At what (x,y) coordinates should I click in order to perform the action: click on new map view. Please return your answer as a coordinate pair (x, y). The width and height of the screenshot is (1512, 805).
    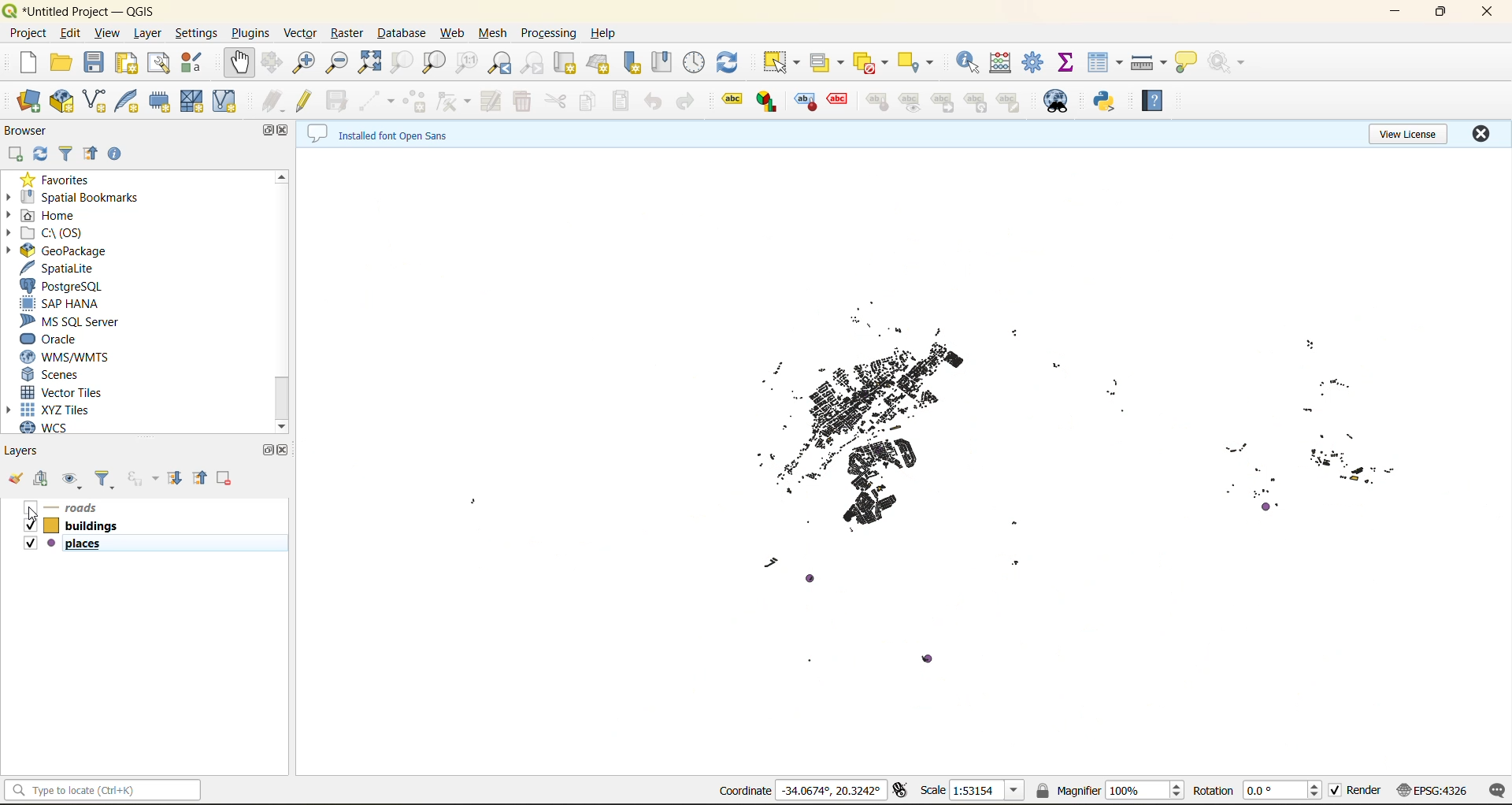
    Looking at the image, I should click on (565, 63).